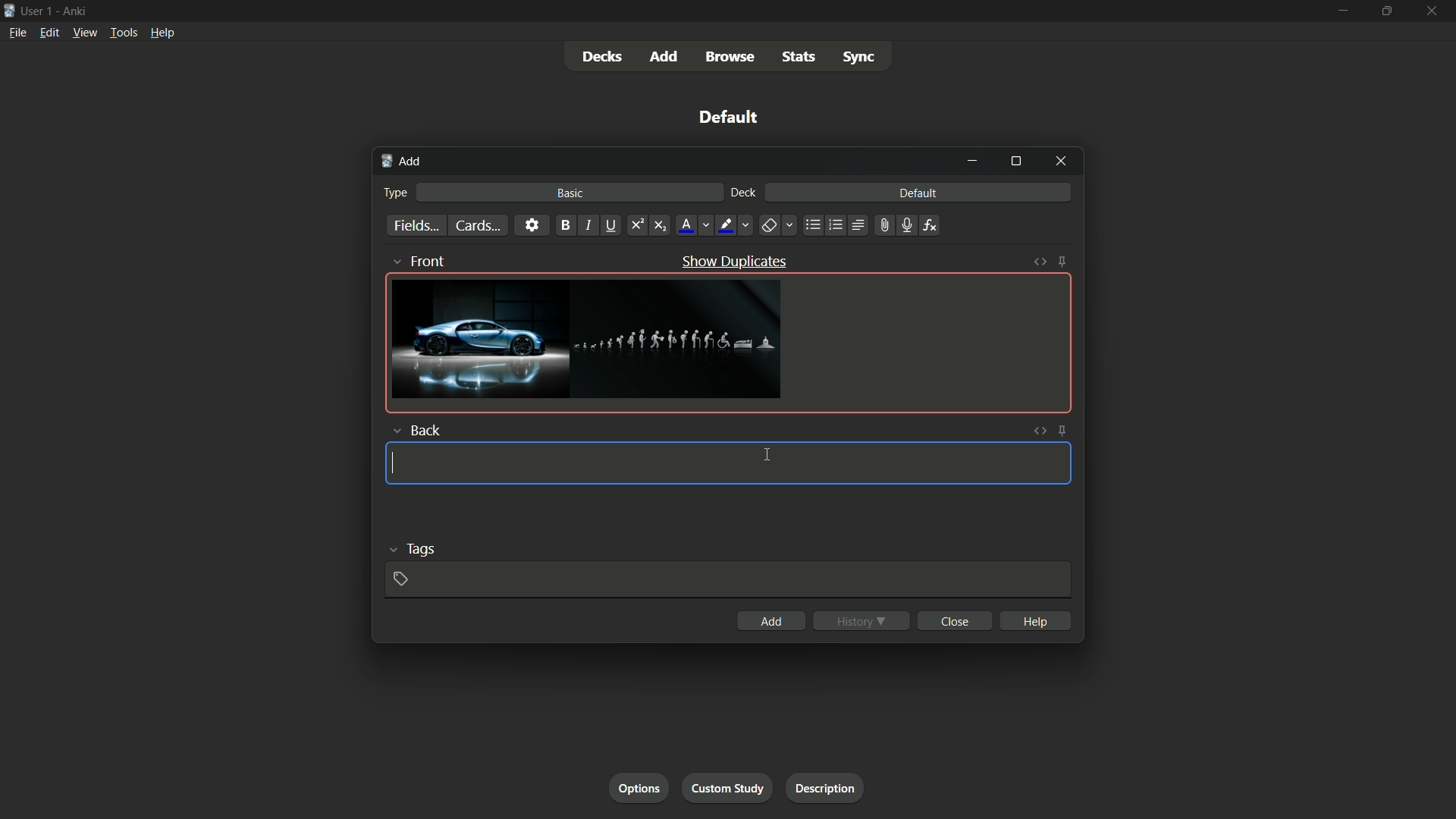 The width and height of the screenshot is (1456, 819). I want to click on add, so click(662, 56).